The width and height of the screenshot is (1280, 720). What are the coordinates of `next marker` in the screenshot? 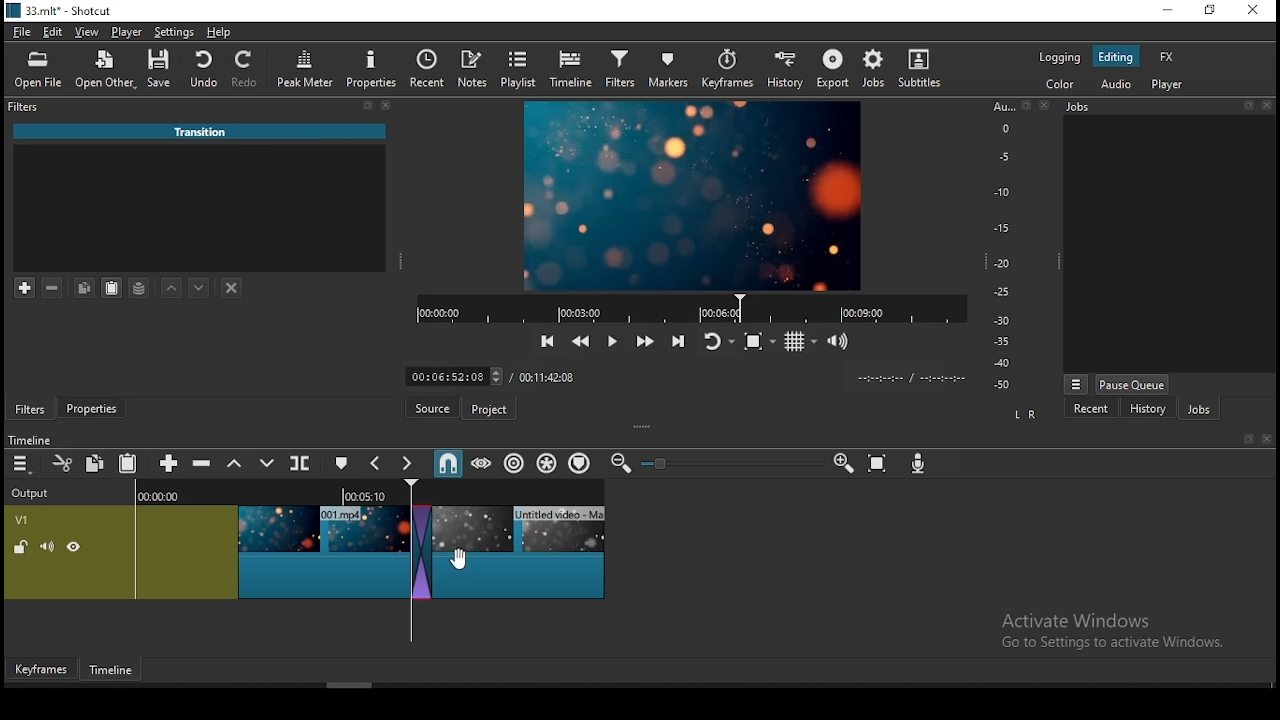 It's located at (410, 463).